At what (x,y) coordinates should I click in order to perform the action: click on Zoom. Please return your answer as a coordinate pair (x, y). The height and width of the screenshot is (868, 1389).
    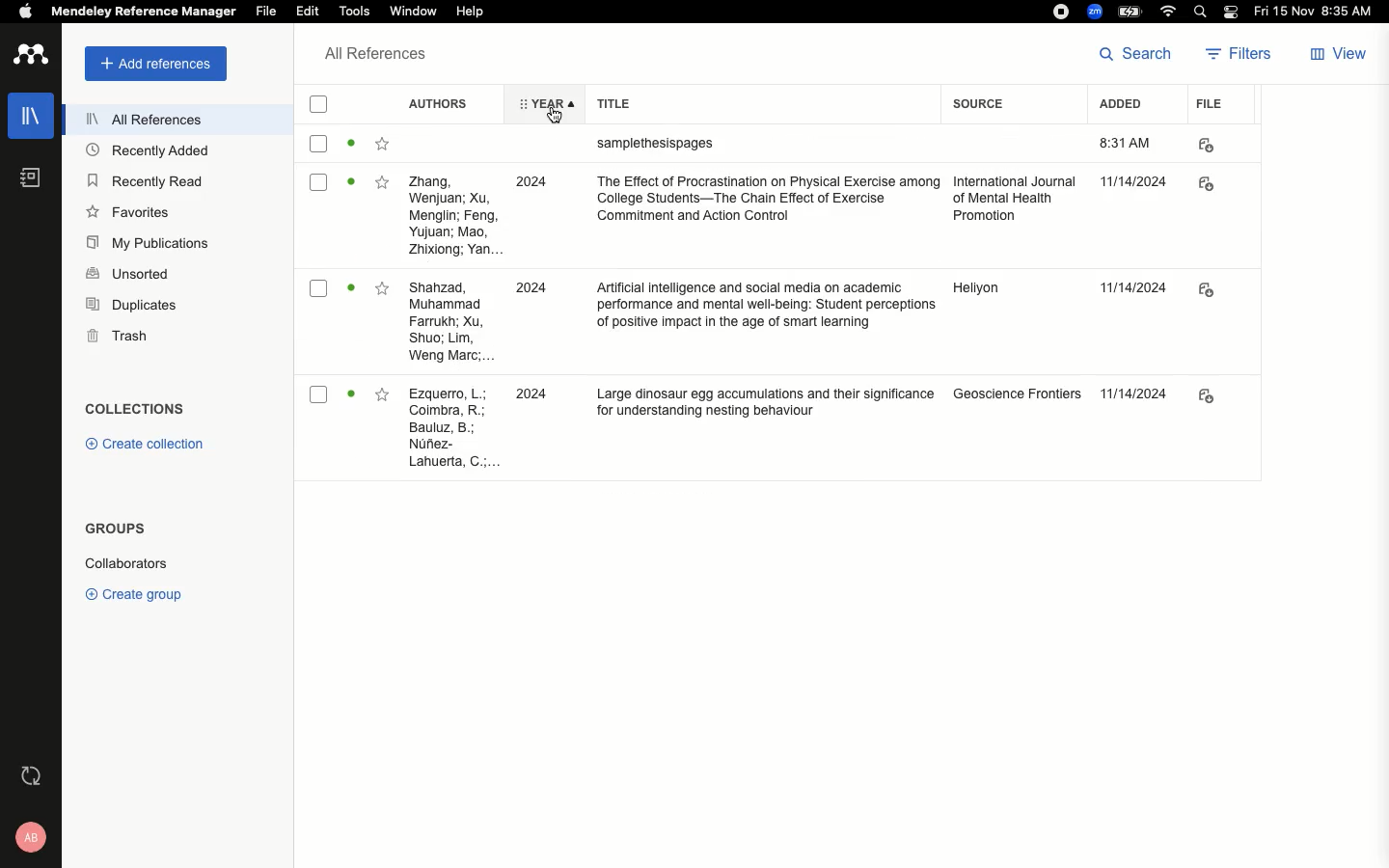
    Looking at the image, I should click on (1094, 12).